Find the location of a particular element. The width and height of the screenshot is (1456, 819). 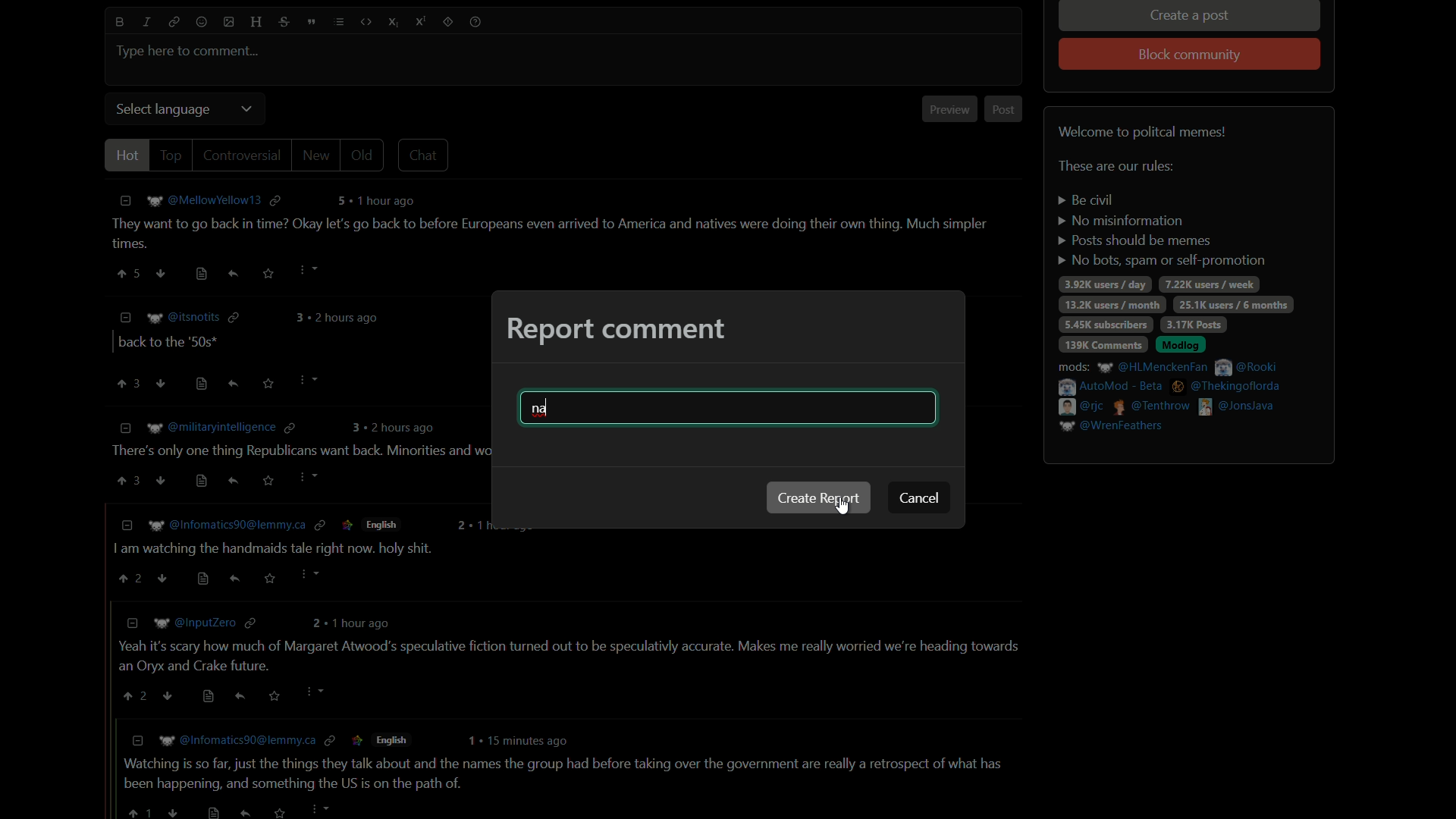

comment-3 is located at coordinates (295, 458).